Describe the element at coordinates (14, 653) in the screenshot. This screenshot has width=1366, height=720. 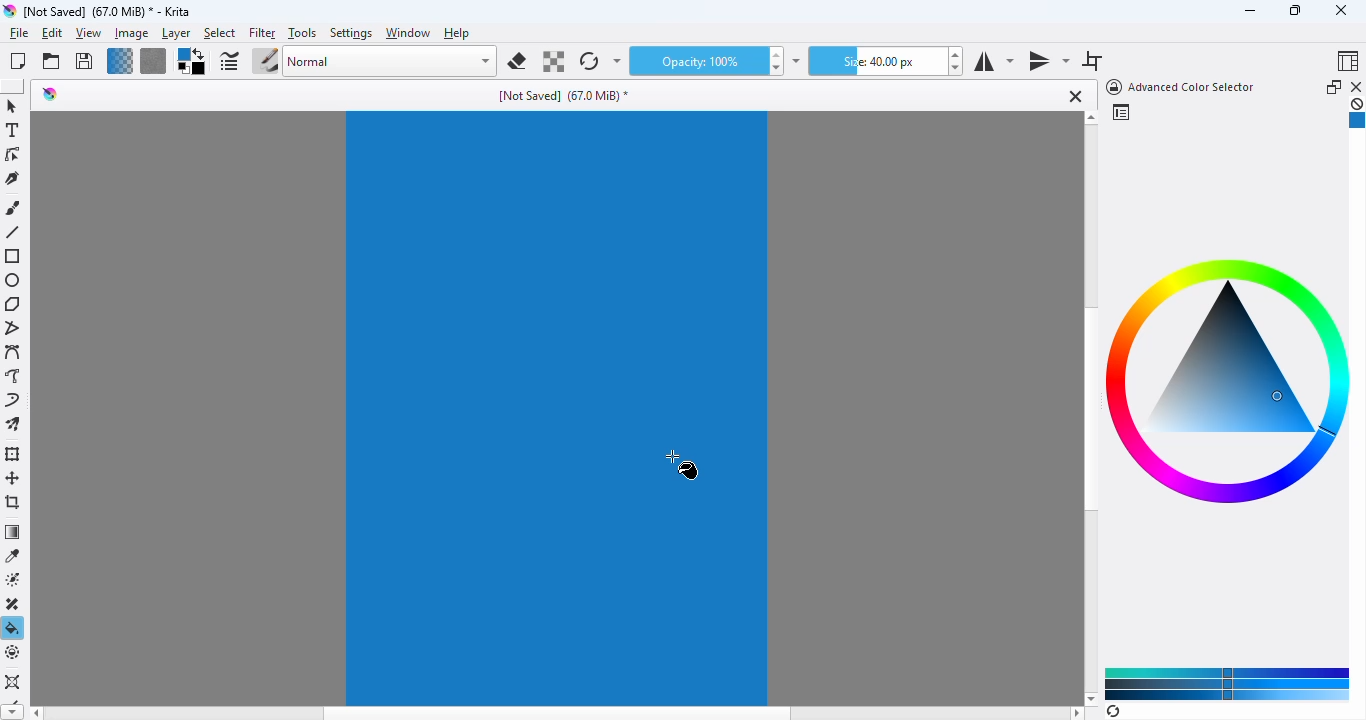
I see `enclose and fill tool` at that location.